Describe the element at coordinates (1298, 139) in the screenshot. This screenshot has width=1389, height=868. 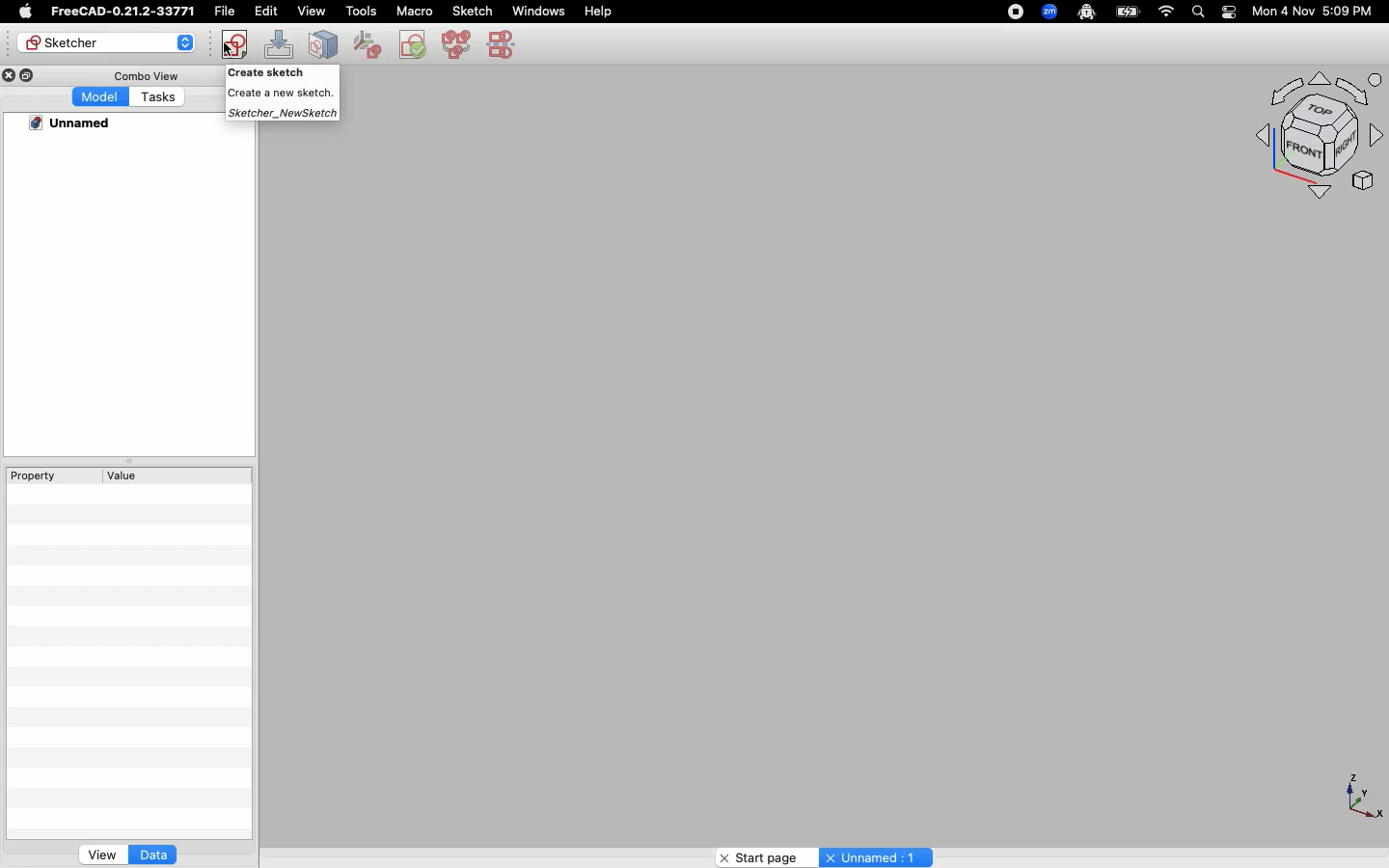
I see `Orthographic projection` at that location.